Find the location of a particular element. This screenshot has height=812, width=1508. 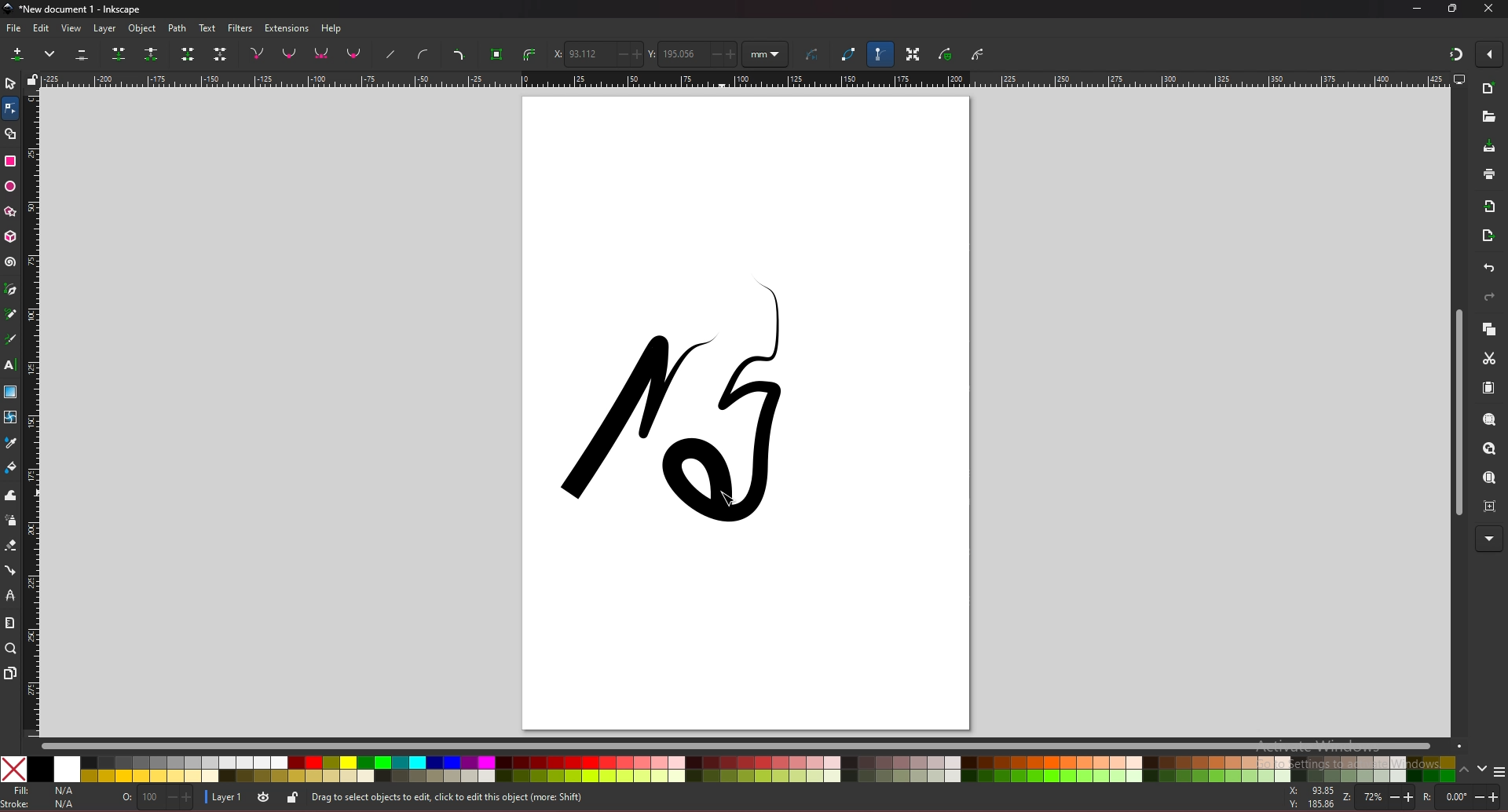

layer is located at coordinates (225, 797).